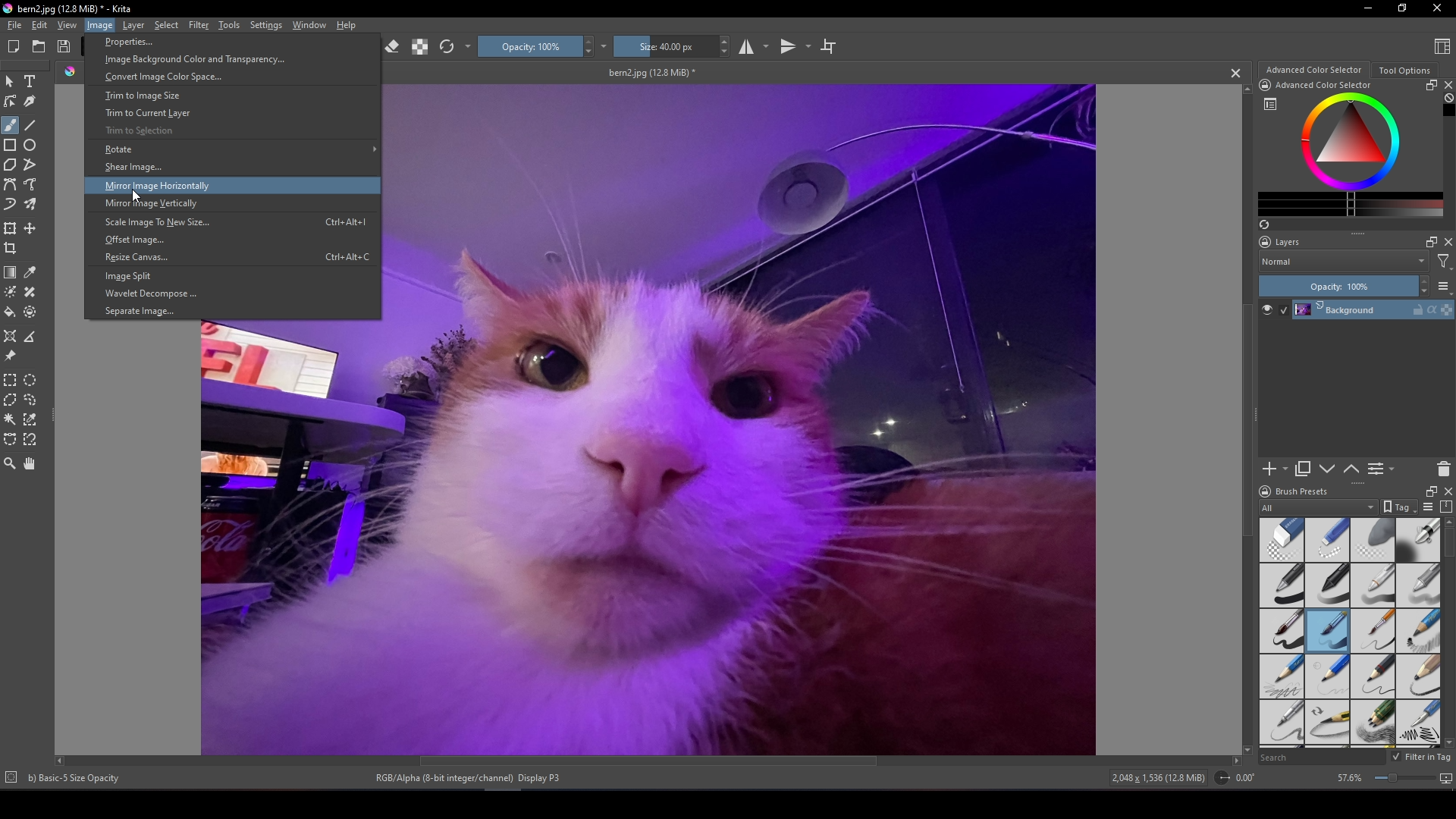 The height and width of the screenshot is (819, 1456). What do you see at coordinates (30, 184) in the screenshot?
I see `Freehand path tool` at bounding box center [30, 184].